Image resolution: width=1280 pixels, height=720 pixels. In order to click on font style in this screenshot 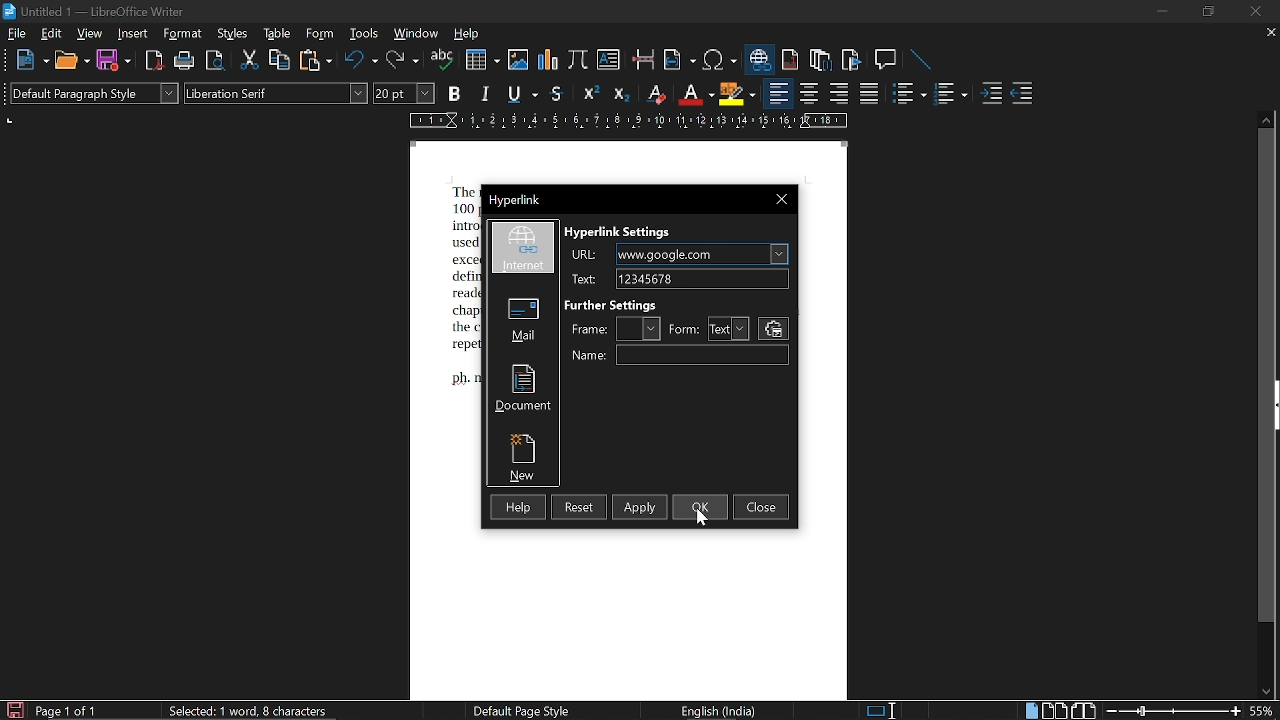, I will do `click(276, 93)`.